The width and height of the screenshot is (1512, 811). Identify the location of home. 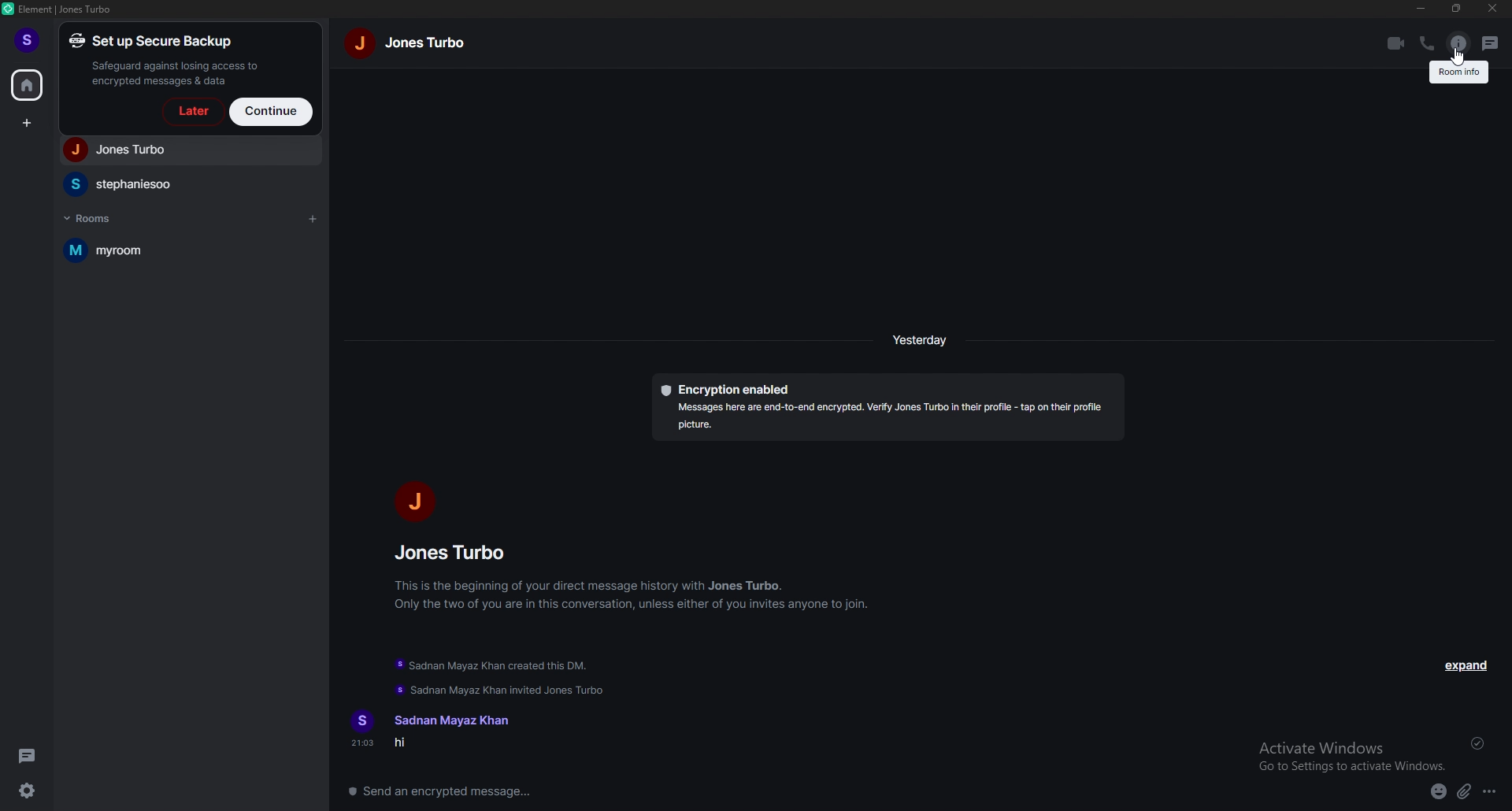
(28, 83).